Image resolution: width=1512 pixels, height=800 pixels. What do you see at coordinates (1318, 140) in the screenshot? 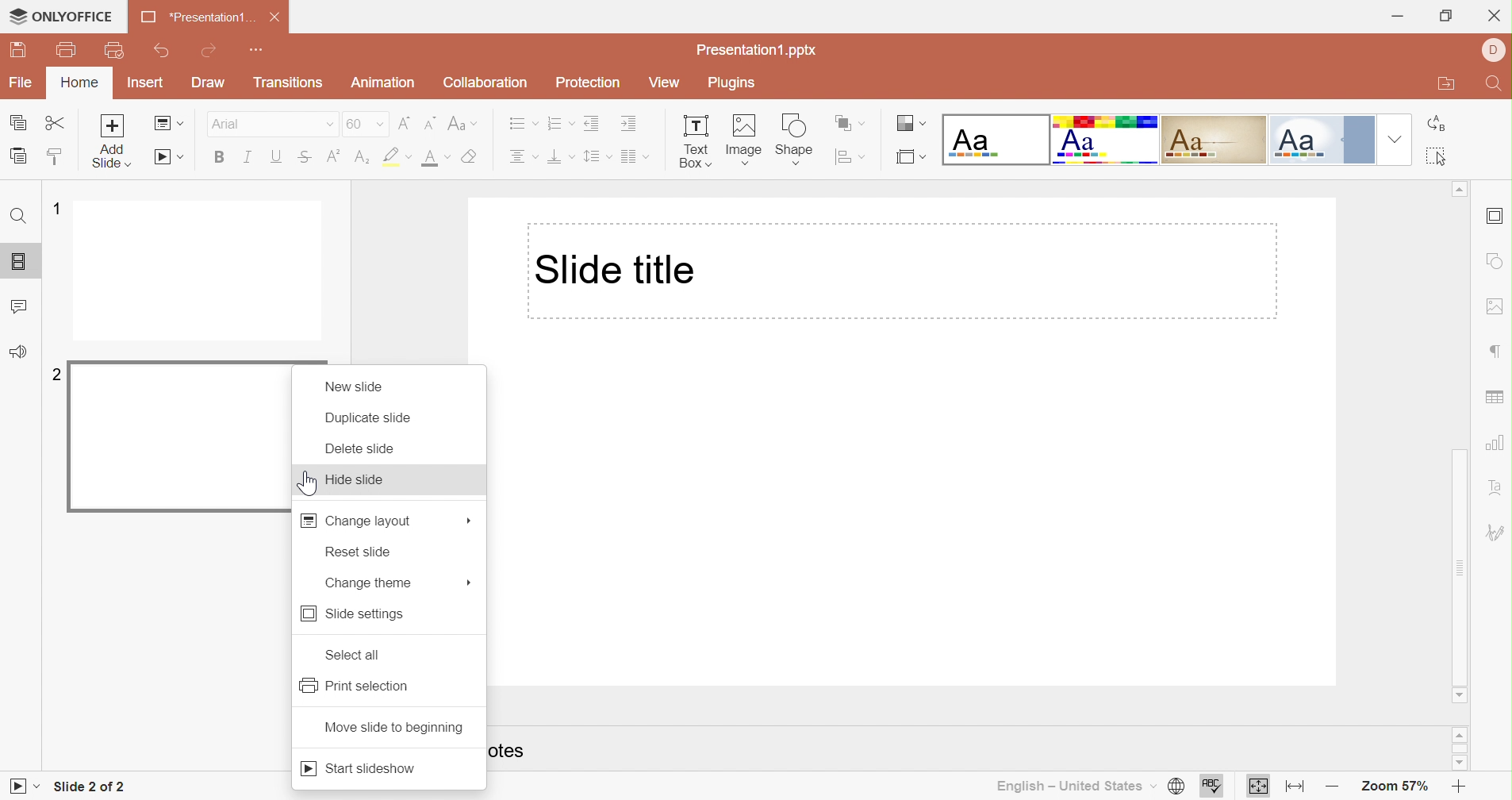
I see `Official` at bounding box center [1318, 140].